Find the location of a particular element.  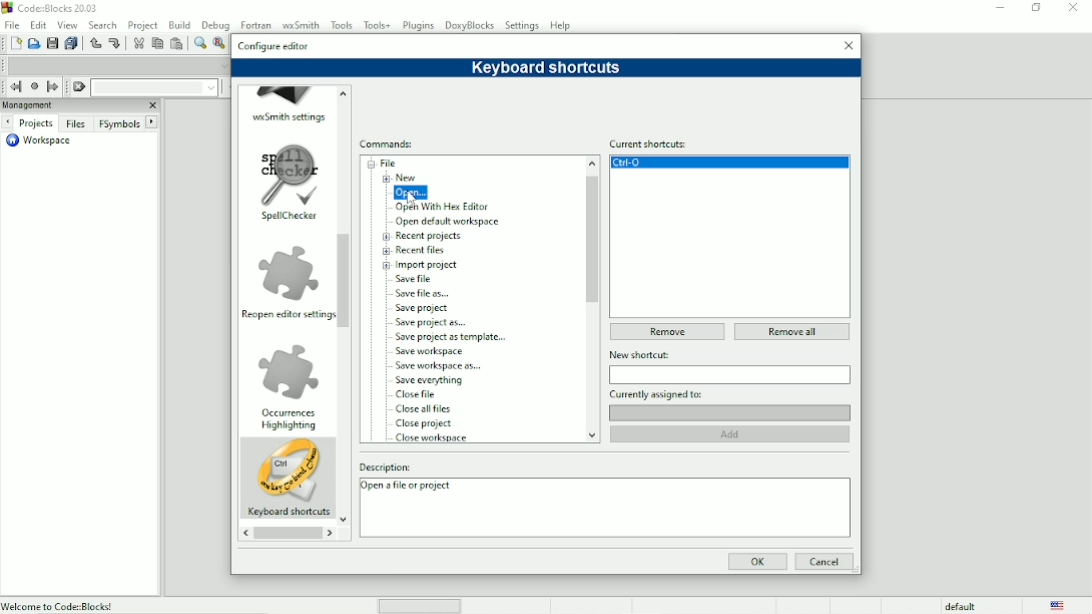

Image is located at coordinates (288, 94).